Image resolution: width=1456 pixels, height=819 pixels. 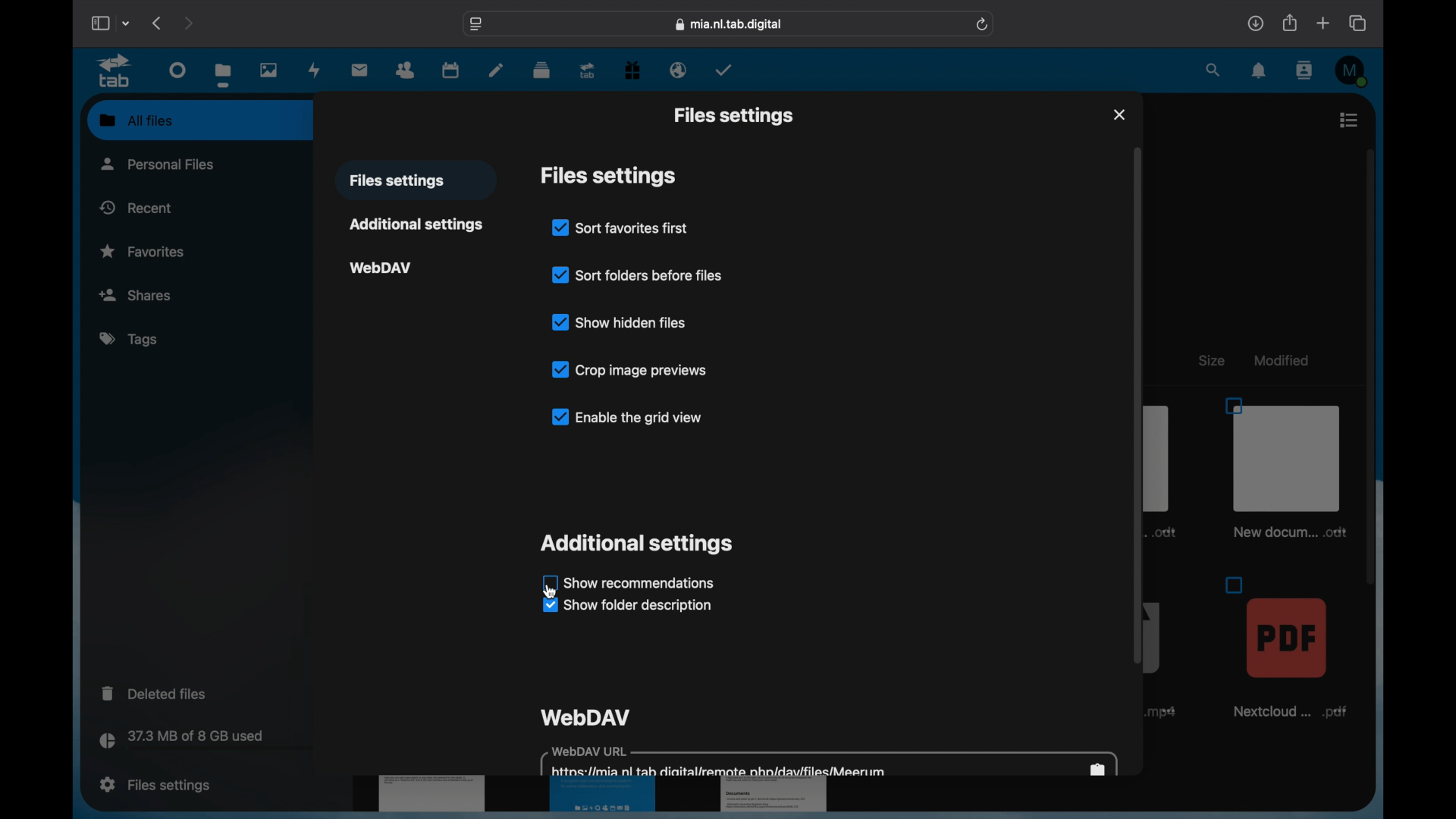 What do you see at coordinates (1348, 119) in the screenshot?
I see `list view` at bounding box center [1348, 119].